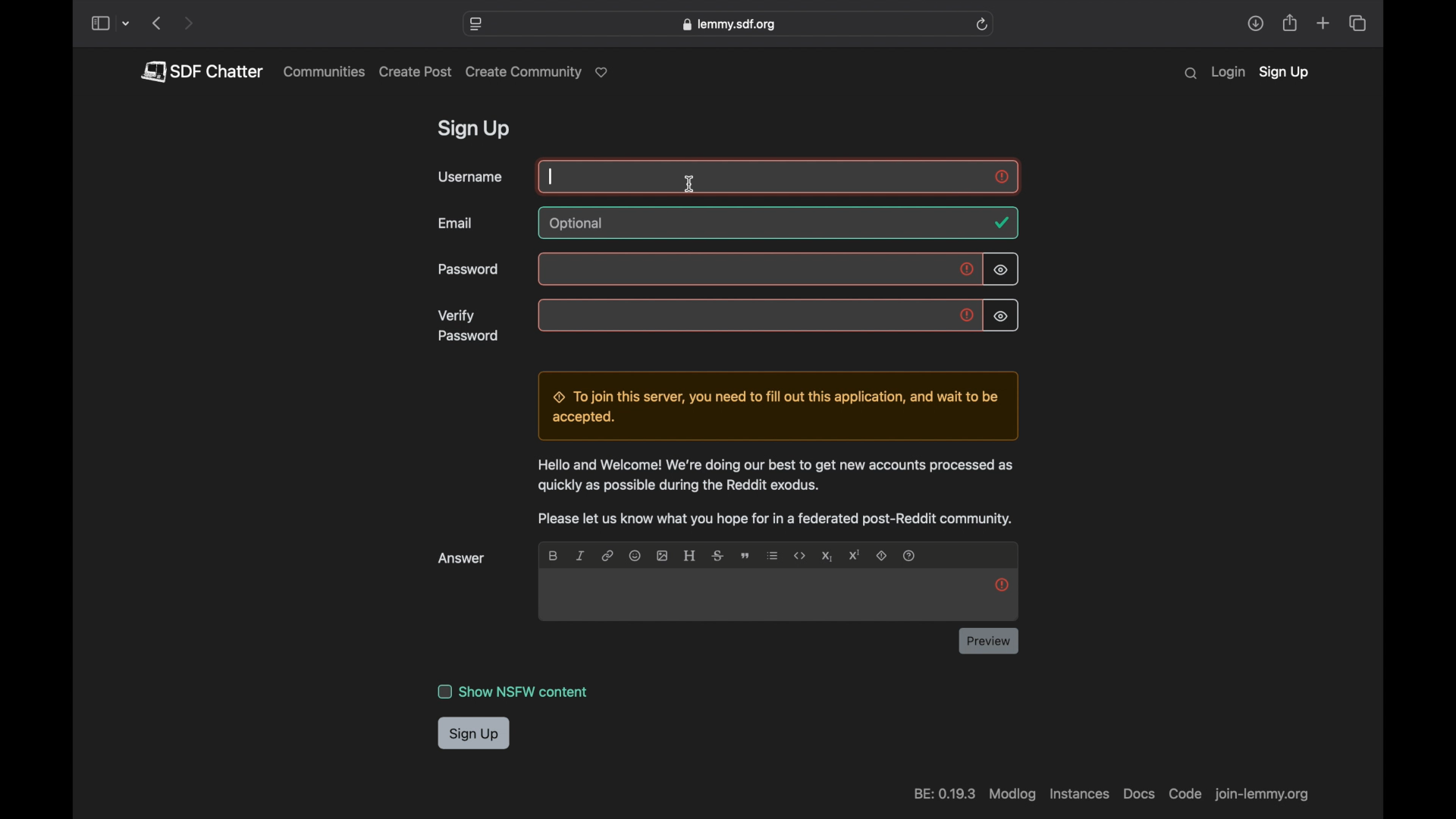  Describe the element at coordinates (1291, 24) in the screenshot. I see `share` at that location.